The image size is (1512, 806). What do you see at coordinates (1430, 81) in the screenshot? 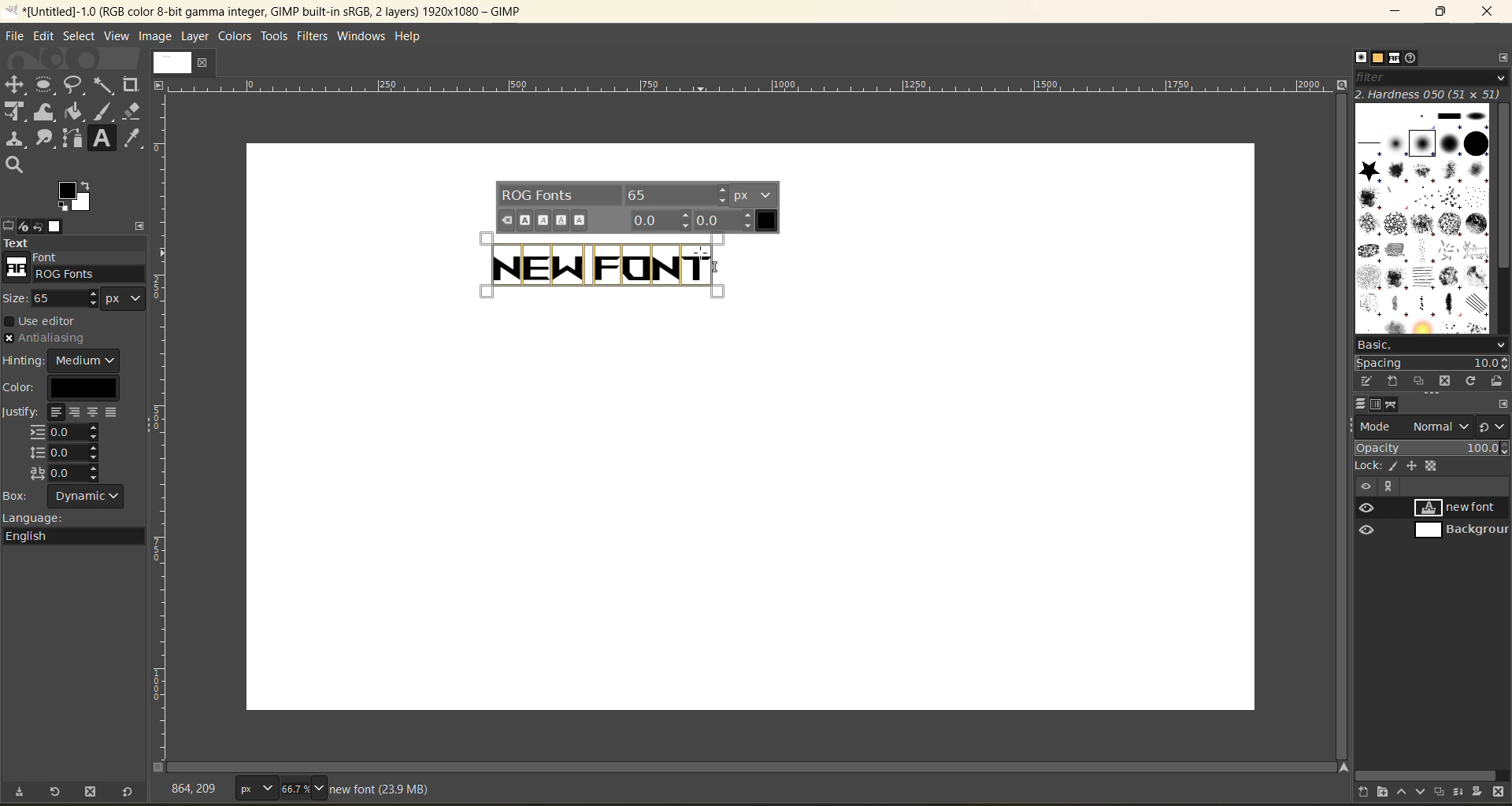
I see `filter` at bounding box center [1430, 81].